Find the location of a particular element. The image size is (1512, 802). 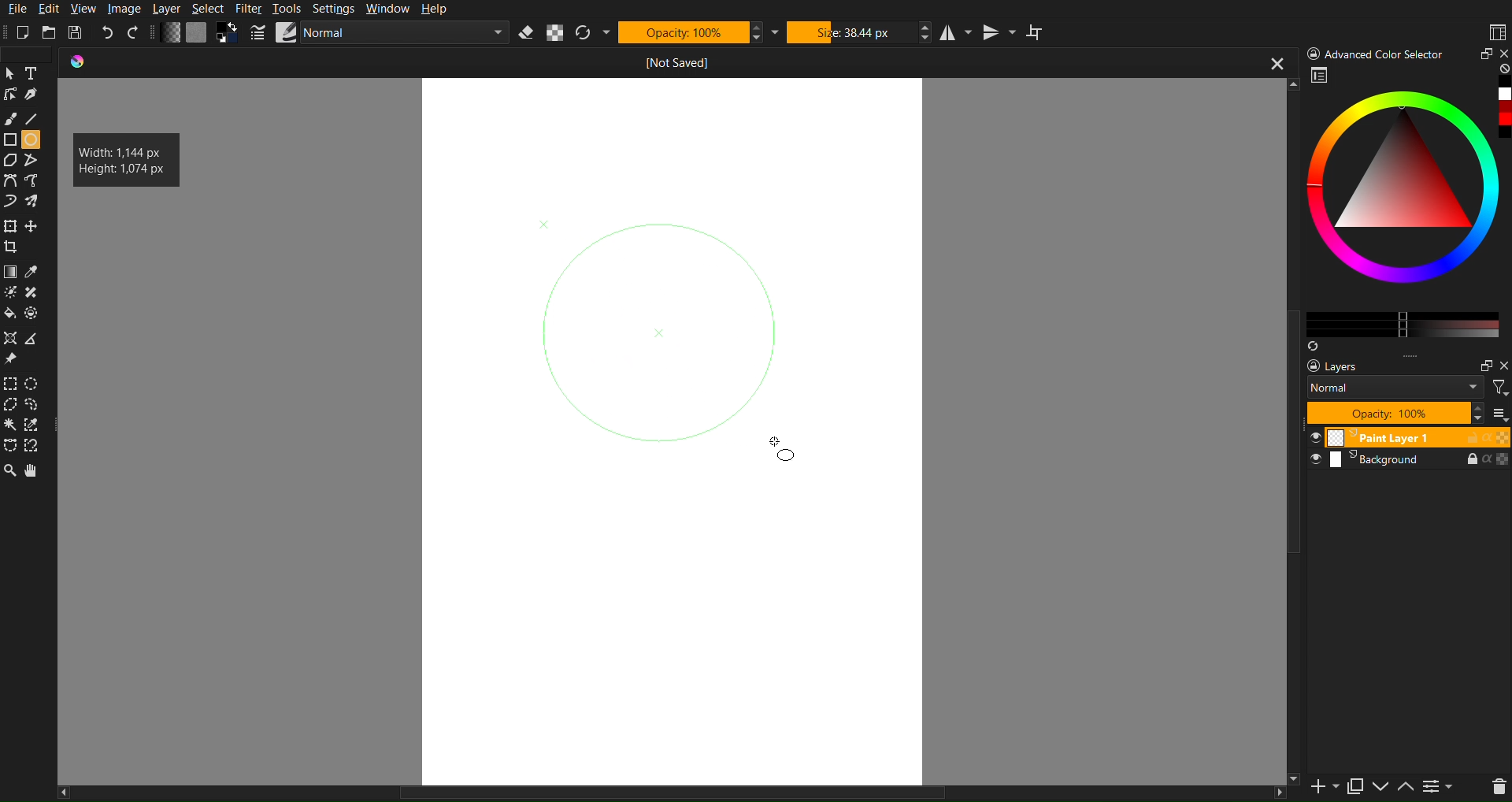

more is located at coordinates (1412, 355).